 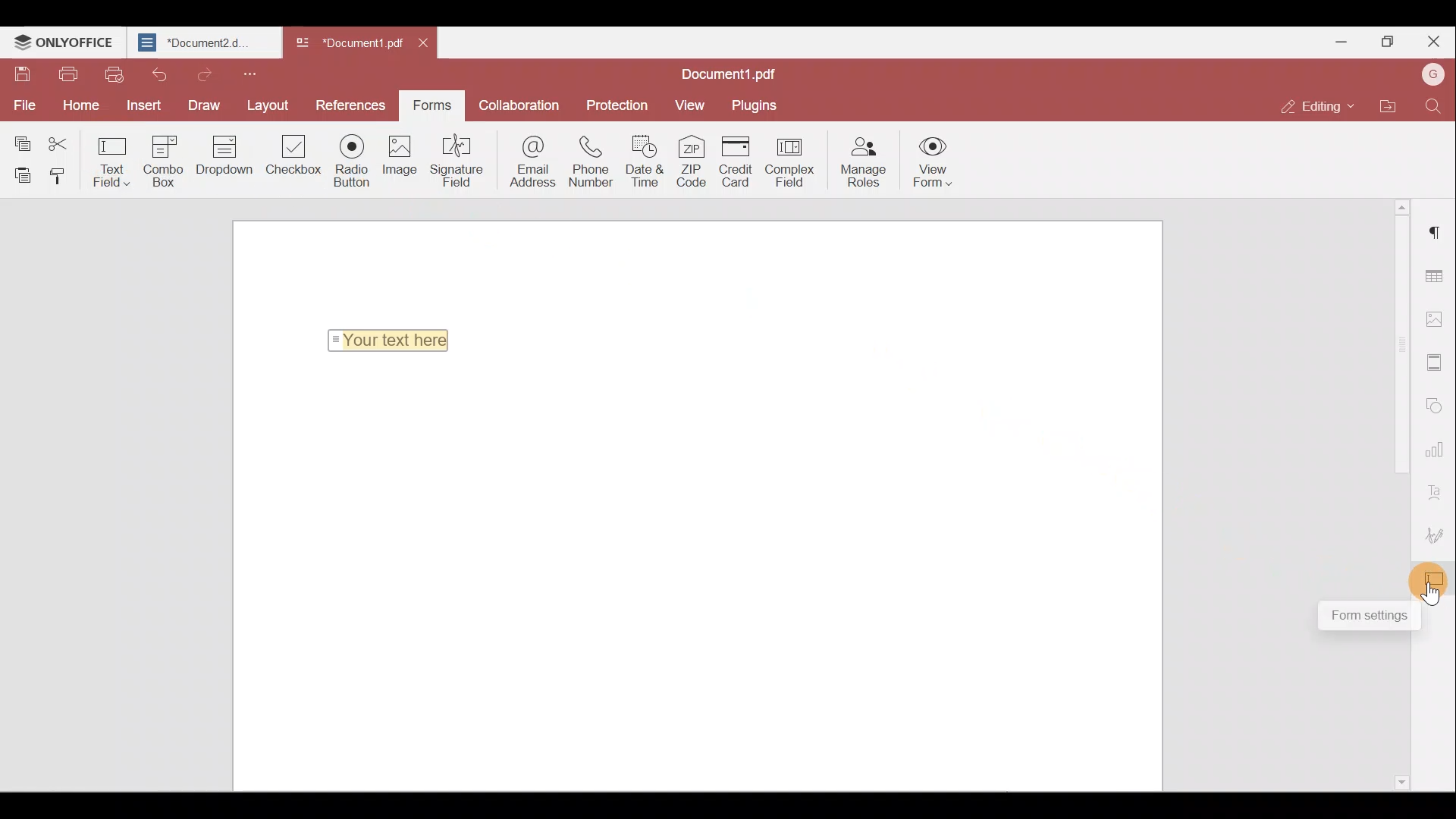 I want to click on Table settings, so click(x=1436, y=271).